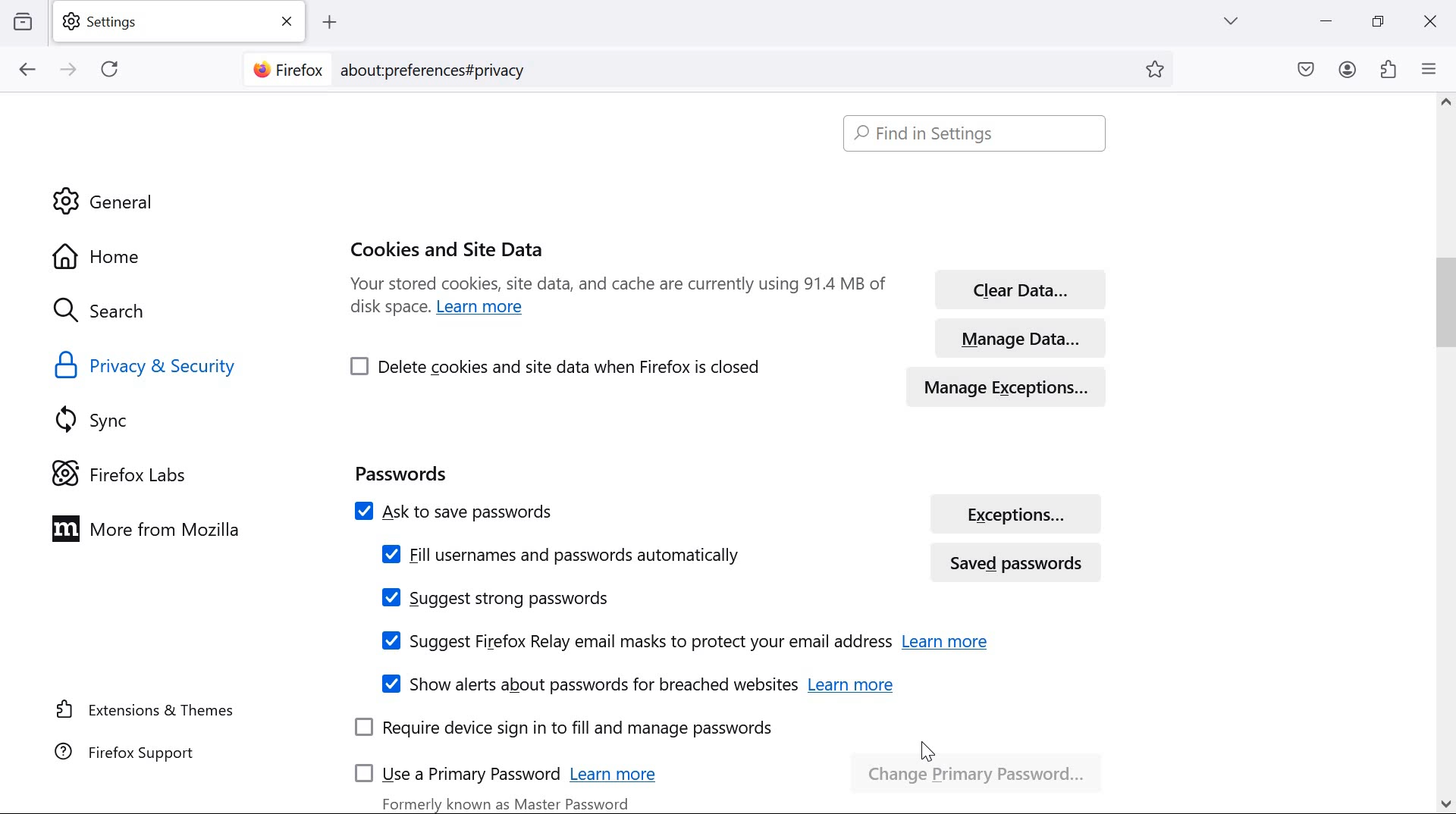 Image resolution: width=1456 pixels, height=814 pixels. What do you see at coordinates (149, 366) in the screenshot?
I see `Privacy & security` at bounding box center [149, 366].